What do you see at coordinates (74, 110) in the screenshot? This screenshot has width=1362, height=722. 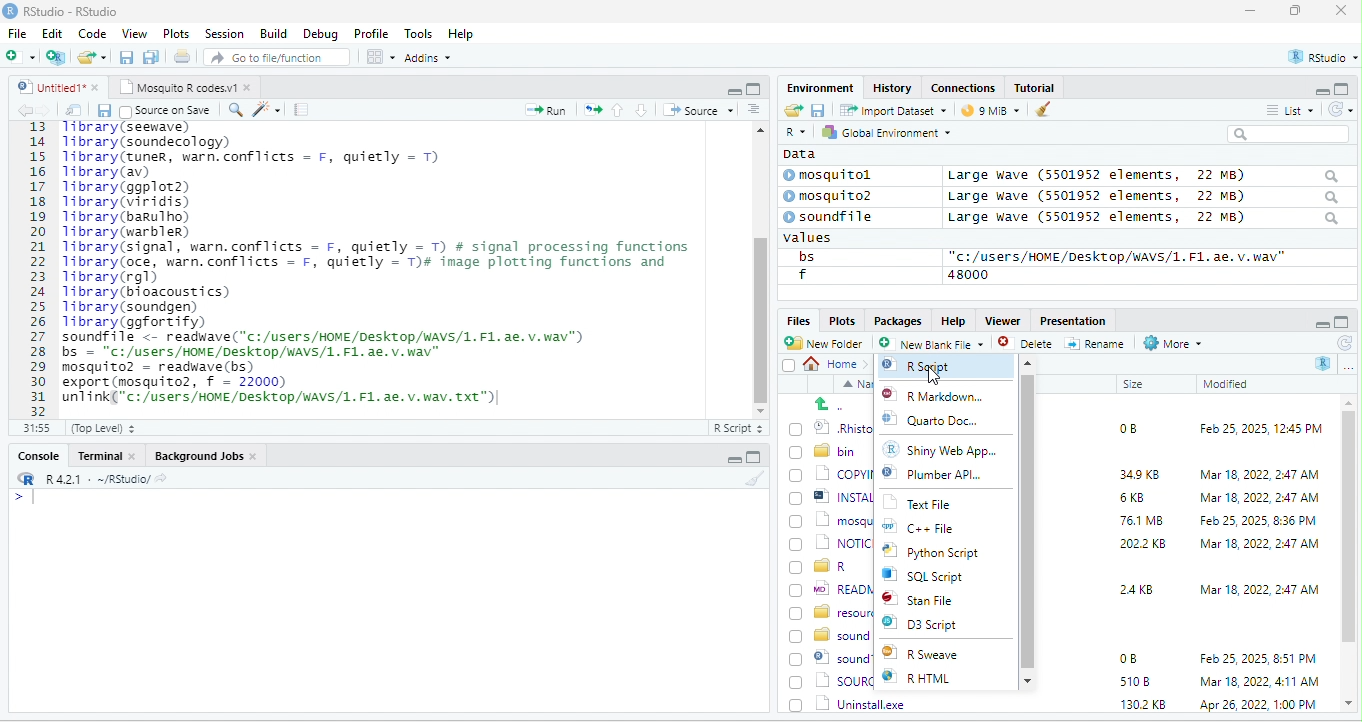 I see `open` at bounding box center [74, 110].